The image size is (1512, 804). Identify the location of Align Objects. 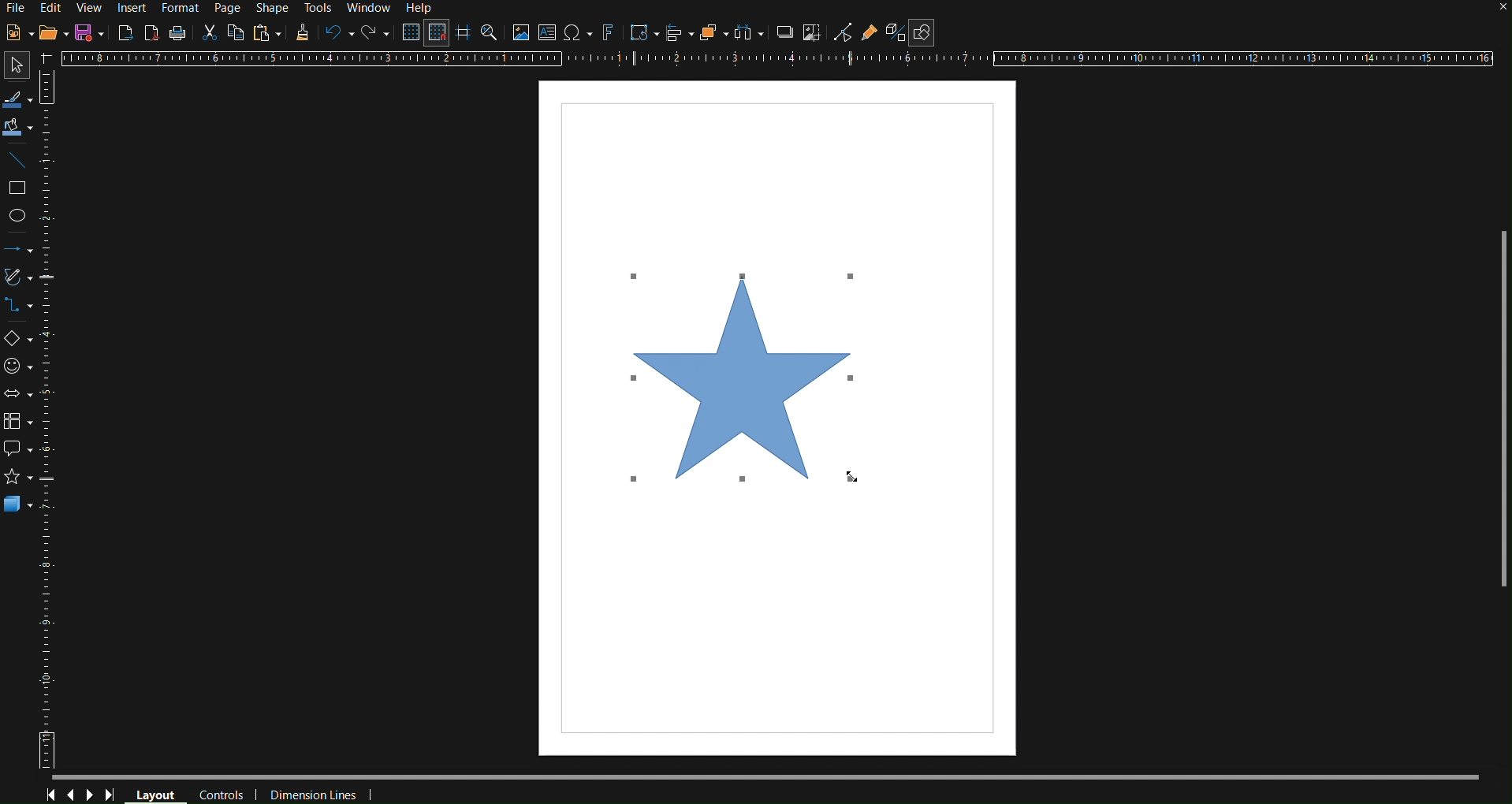
(676, 35).